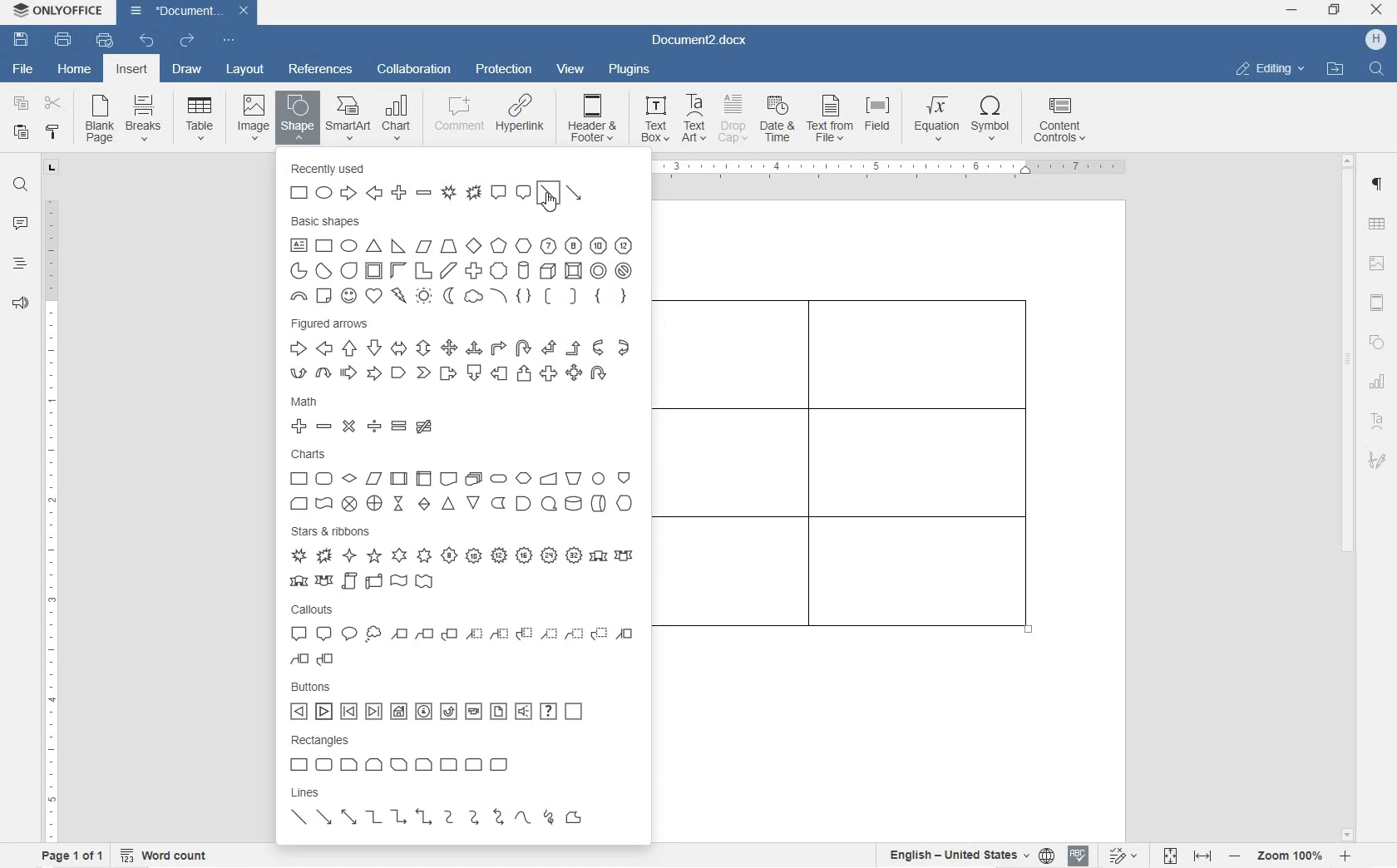  Describe the element at coordinates (1375, 40) in the screenshot. I see `HP` at that location.